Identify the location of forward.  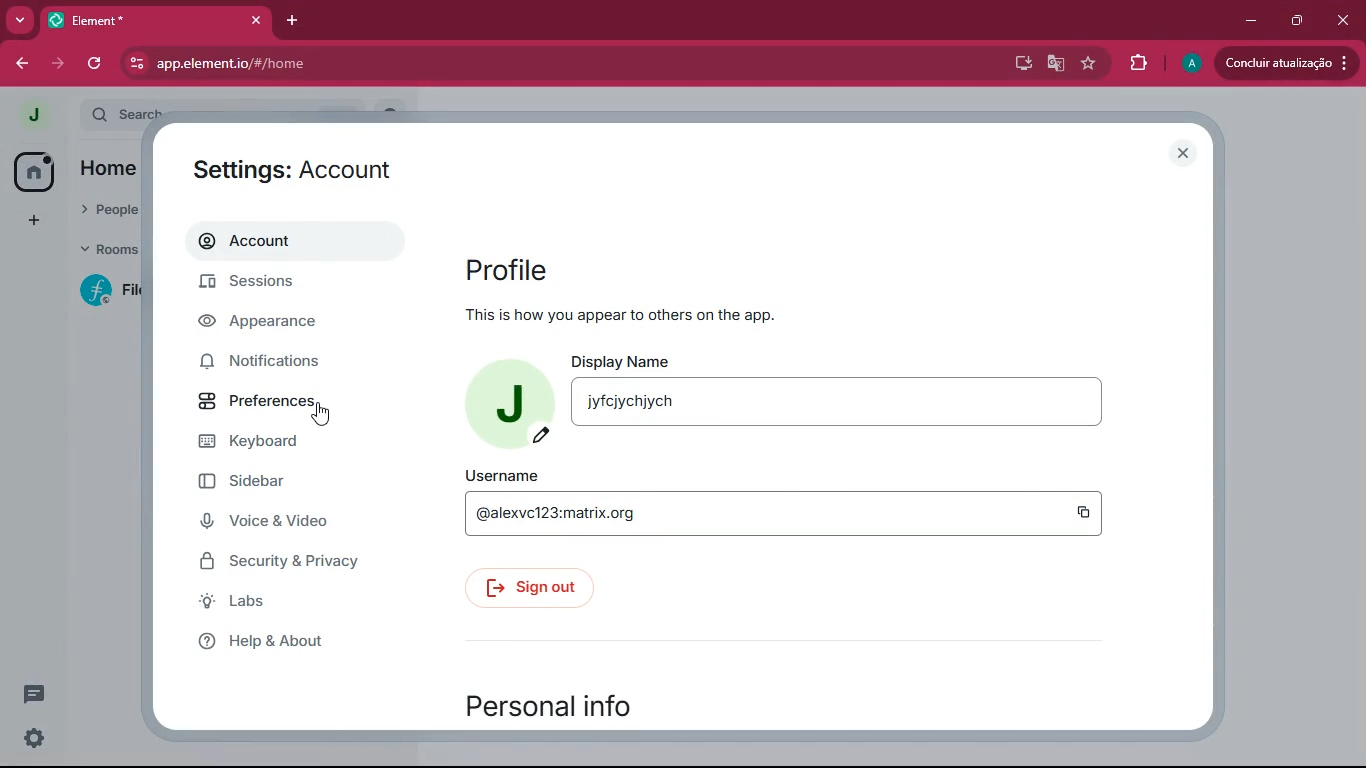
(56, 64).